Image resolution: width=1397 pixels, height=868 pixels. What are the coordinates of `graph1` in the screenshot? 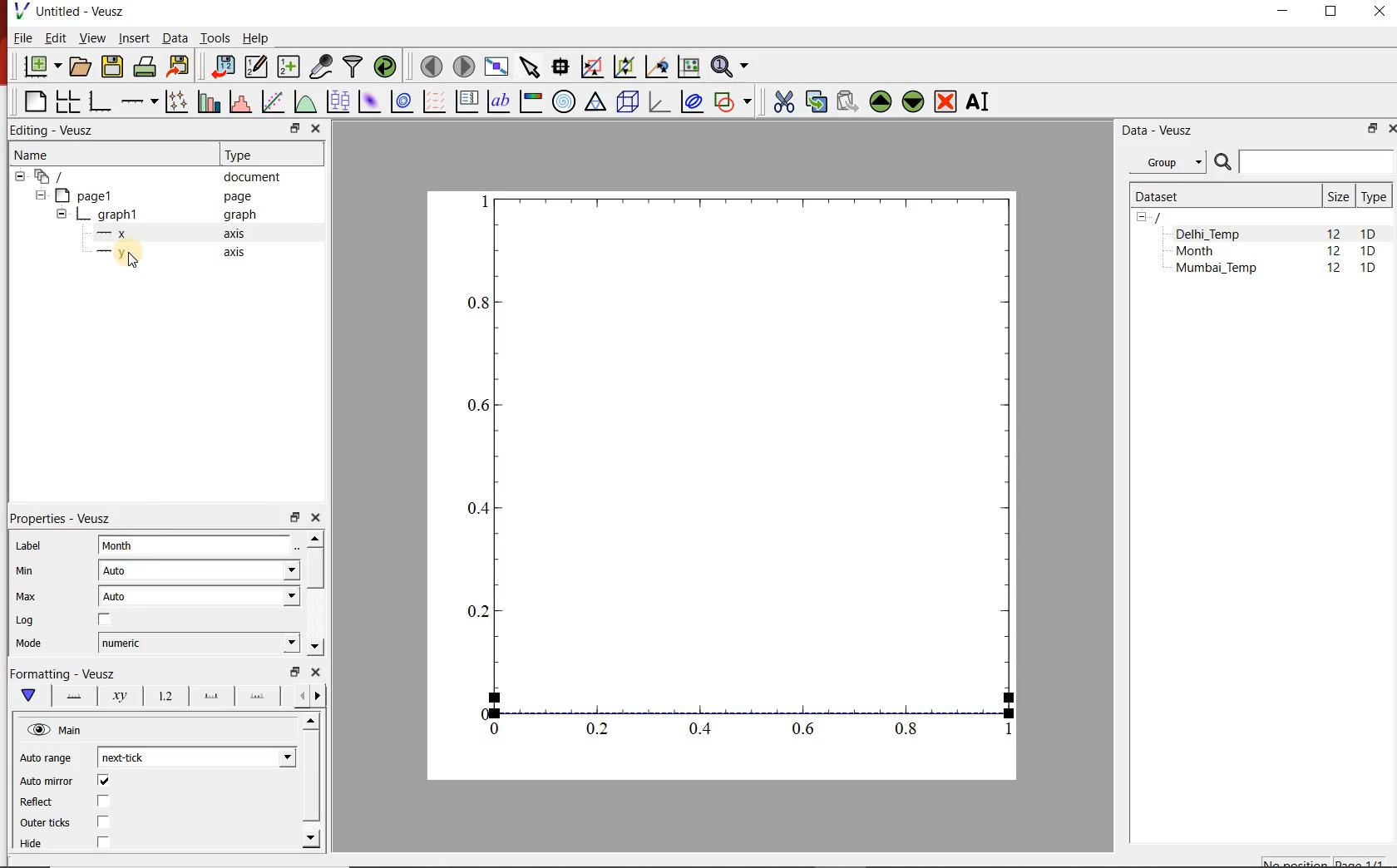 It's located at (158, 215).